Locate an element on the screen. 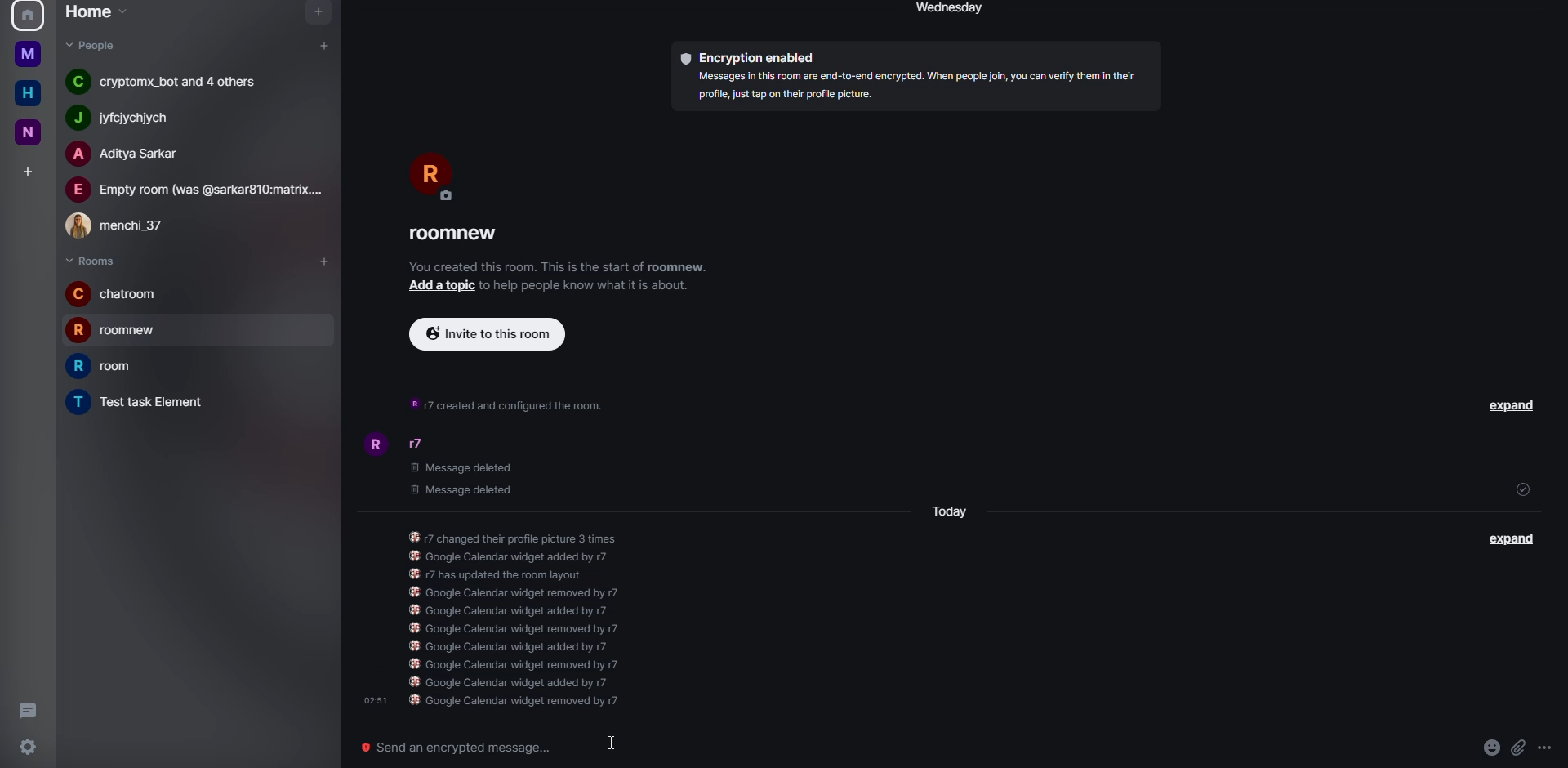 This screenshot has height=768, width=1568. people is located at coordinates (198, 190).